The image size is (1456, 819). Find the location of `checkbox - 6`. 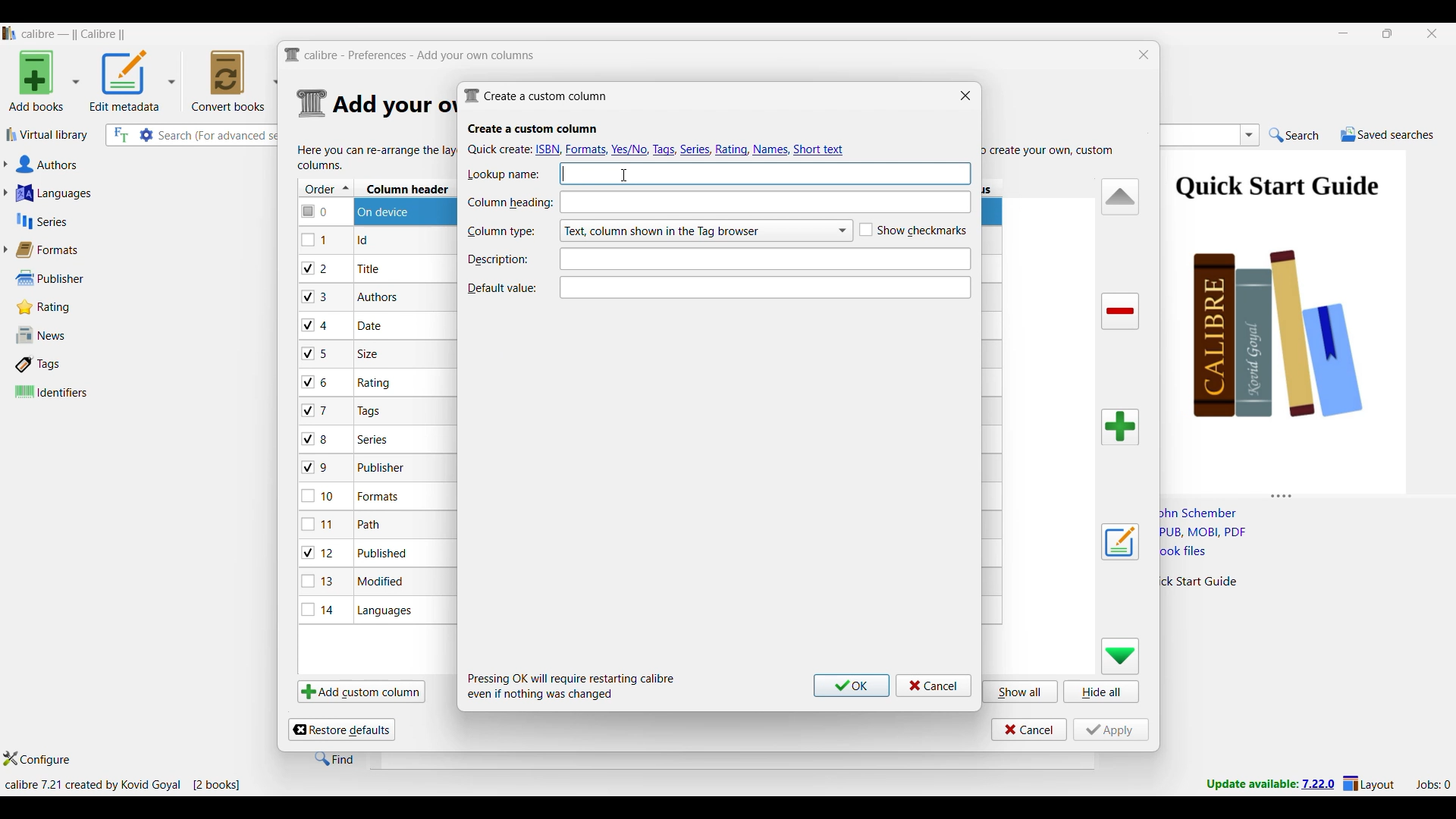

checkbox - 6 is located at coordinates (318, 383).